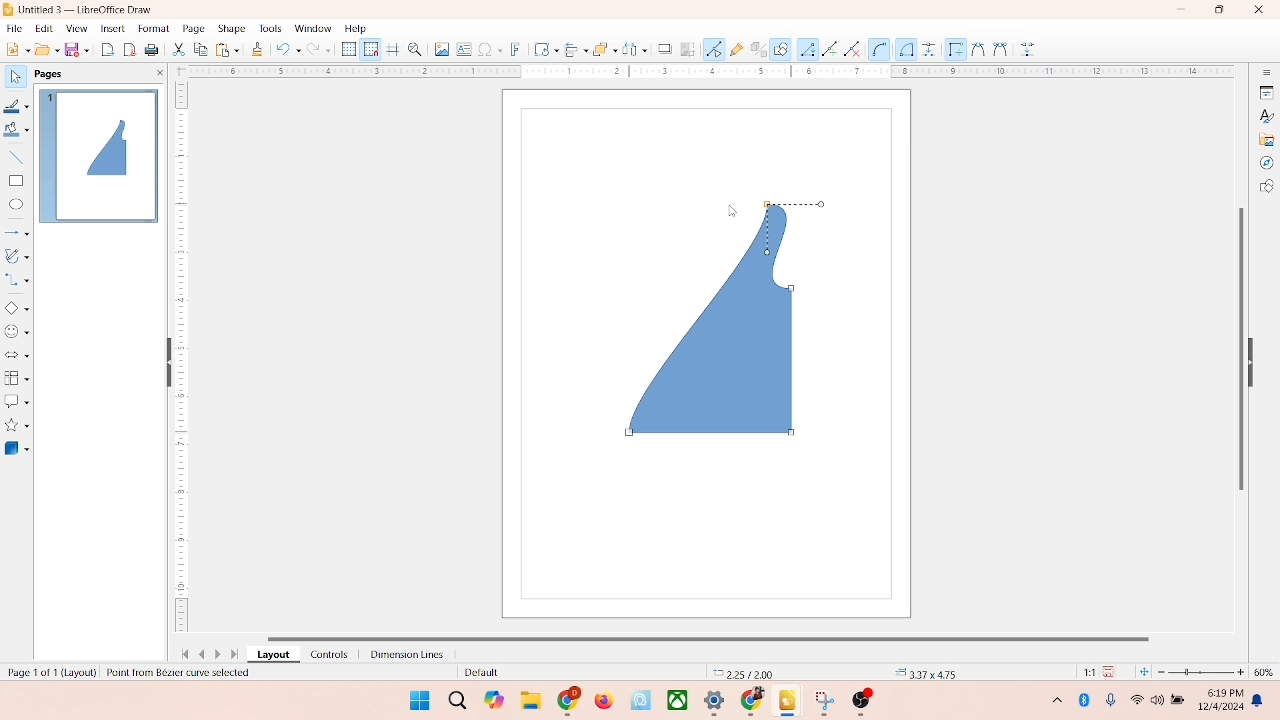  Describe the element at coordinates (16, 133) in the screenshot. I see `fill color` at that location.